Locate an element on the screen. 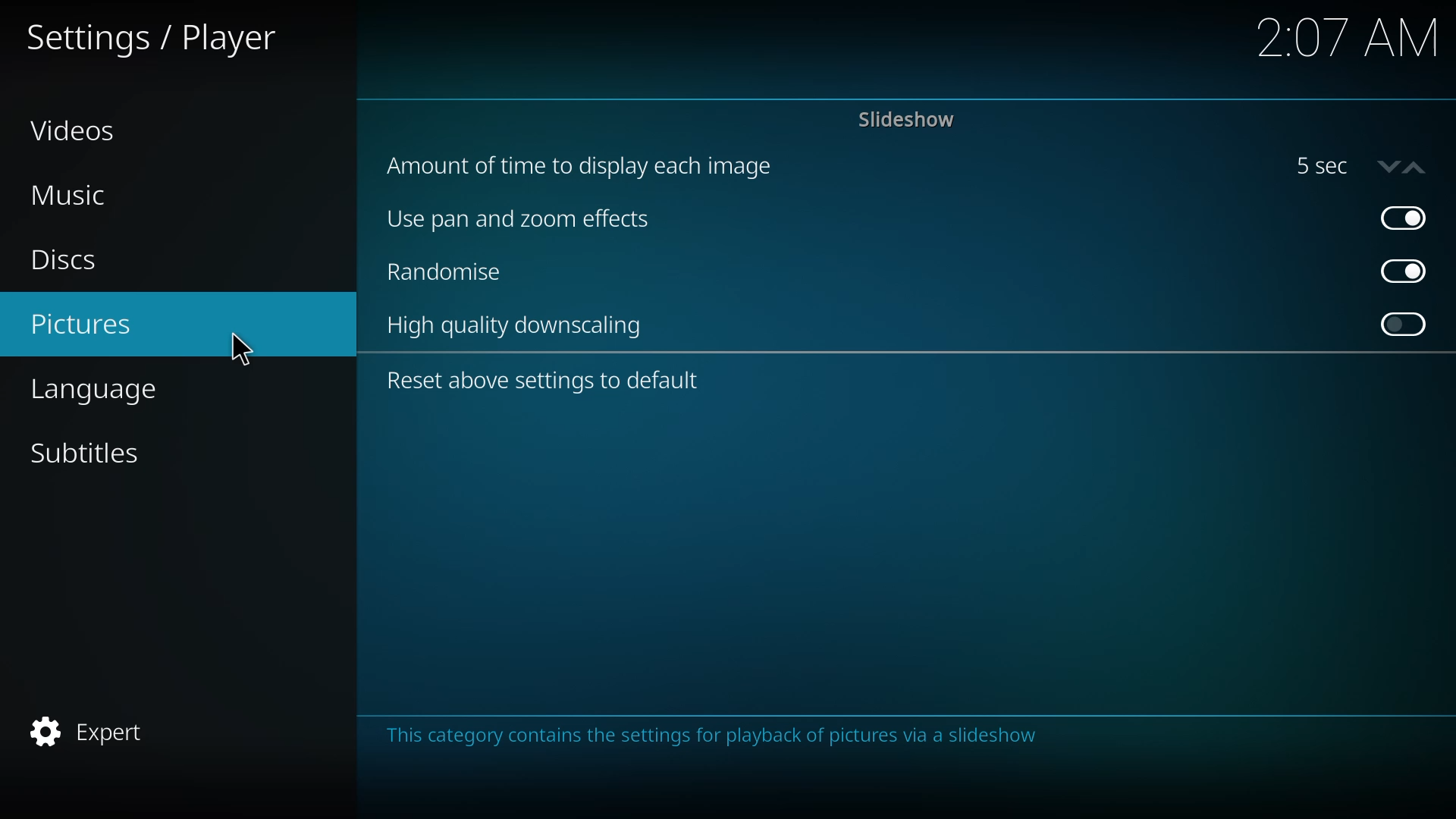 The height and width of the screenshot is (819, 1456). subtitles is located at coordinates (92, 453).